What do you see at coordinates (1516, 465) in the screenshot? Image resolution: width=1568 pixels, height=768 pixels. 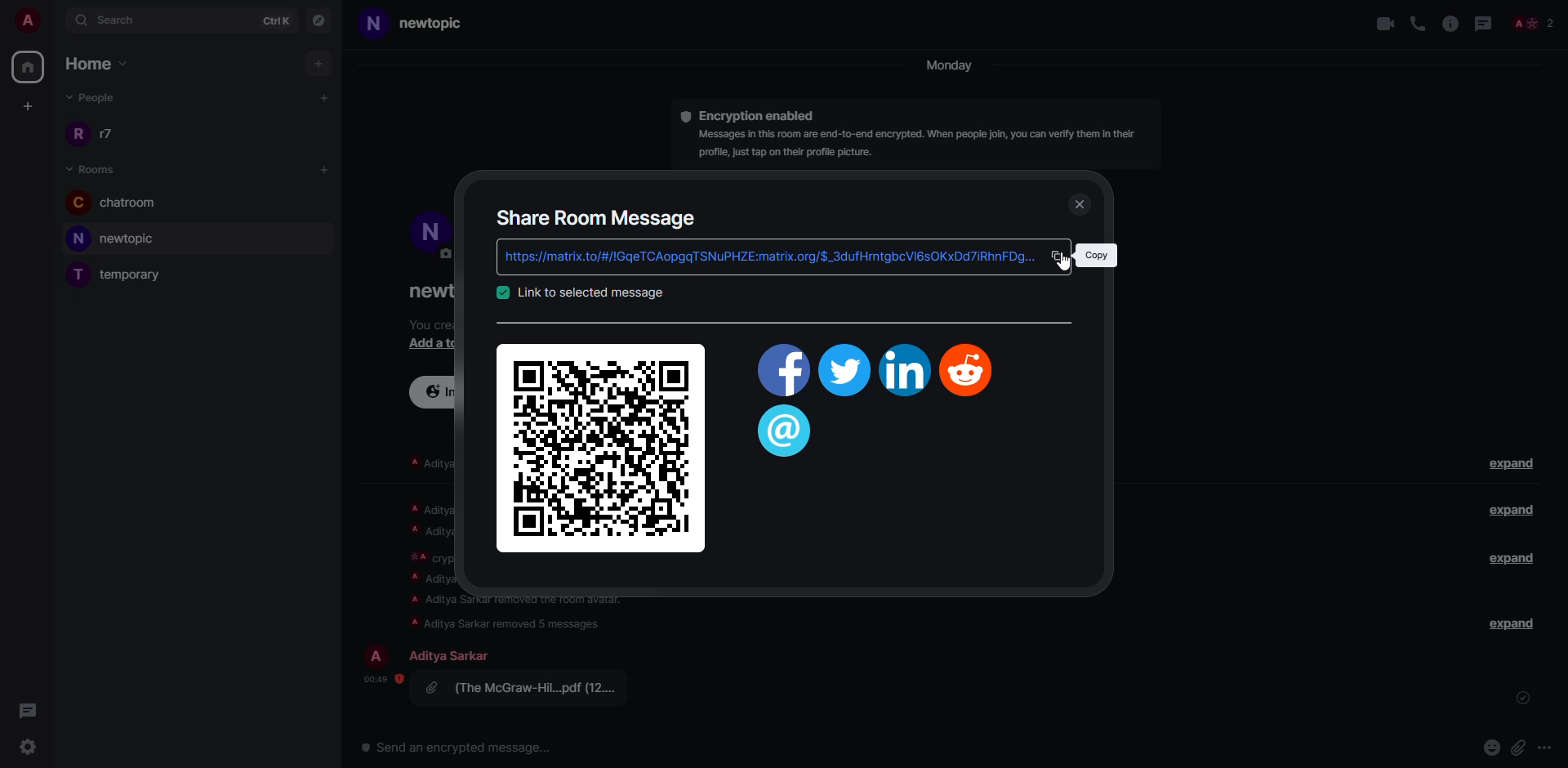 I see `expand` at bounding box center [1516, 465].